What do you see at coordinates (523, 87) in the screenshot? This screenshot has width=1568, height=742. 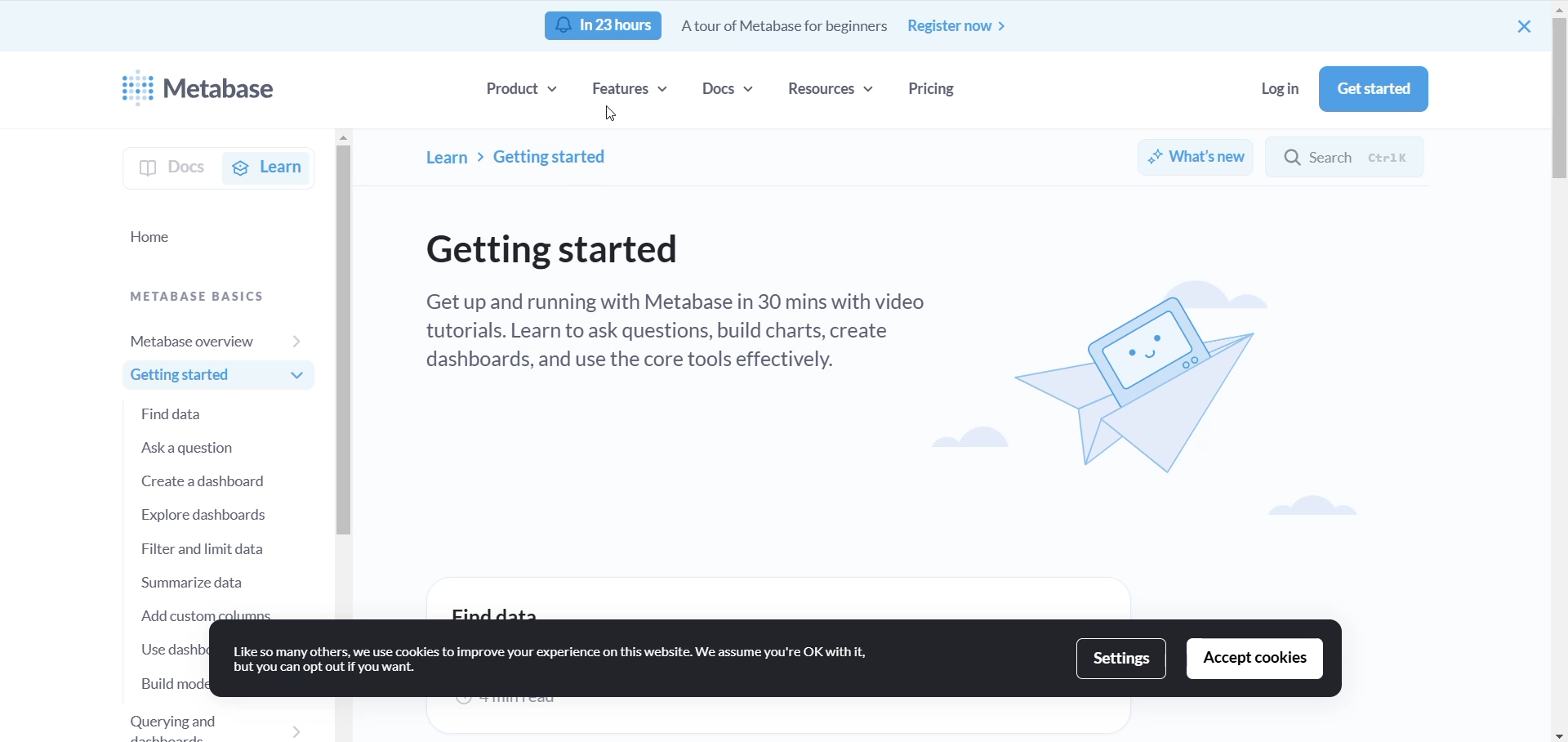 I see `product` at bounding box center [523, 87].